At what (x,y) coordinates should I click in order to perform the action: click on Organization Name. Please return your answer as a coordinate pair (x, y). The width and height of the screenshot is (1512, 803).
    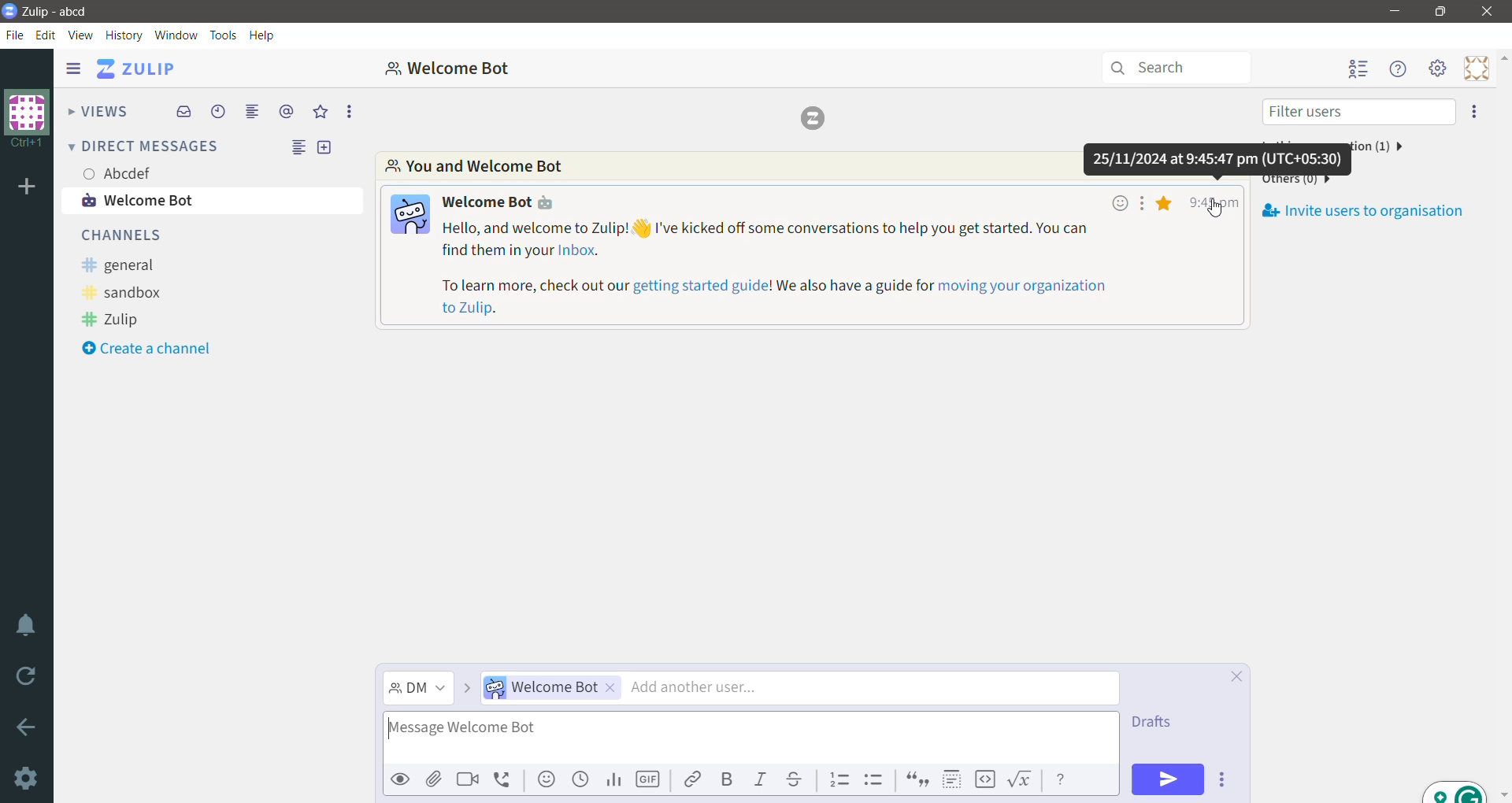
    Looking at the image, I should click on (25, 119).